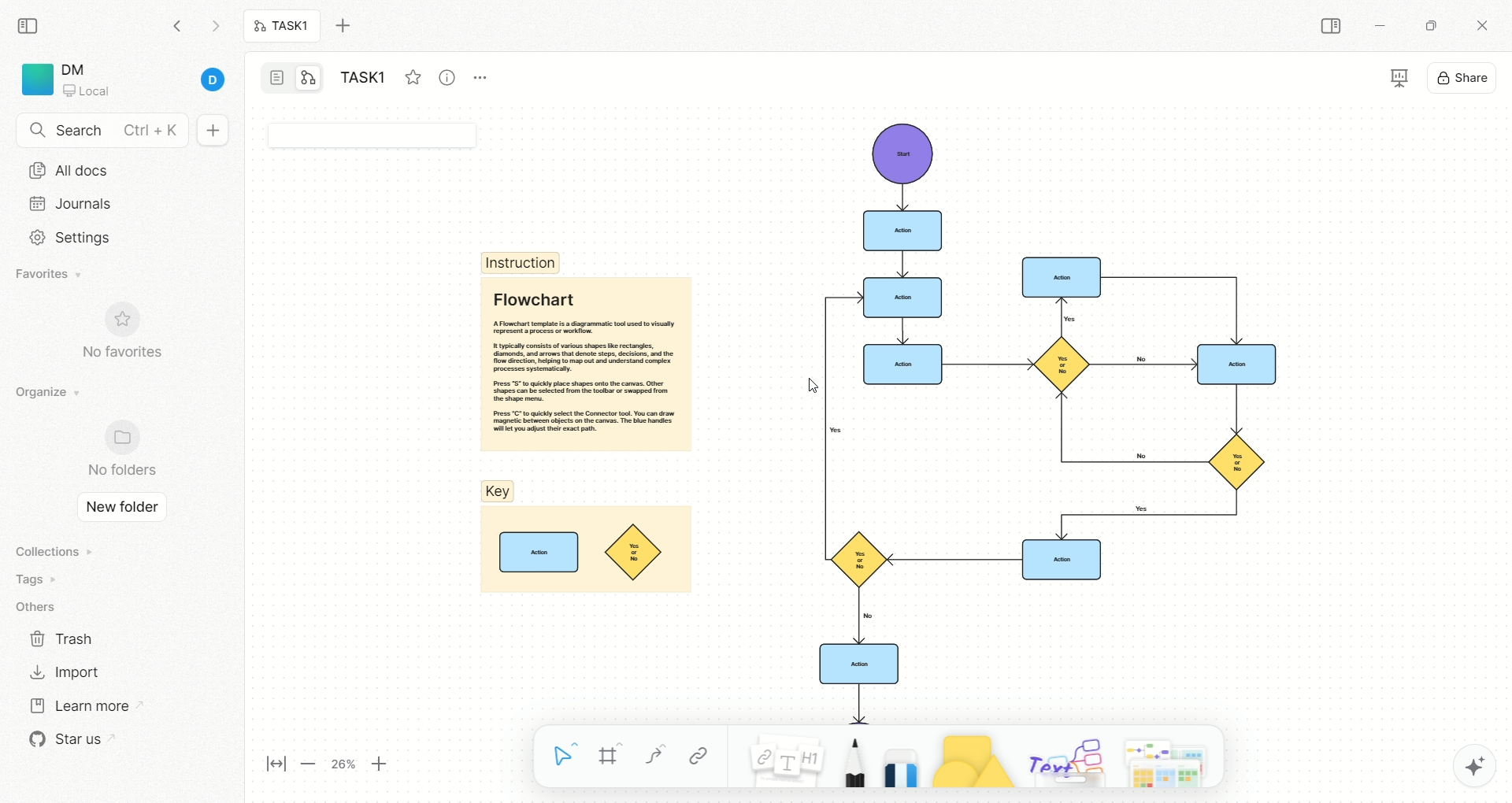  Describe the element at coordinates (32, 24) in the screenshot. I see `collapse sidebar` at that location.